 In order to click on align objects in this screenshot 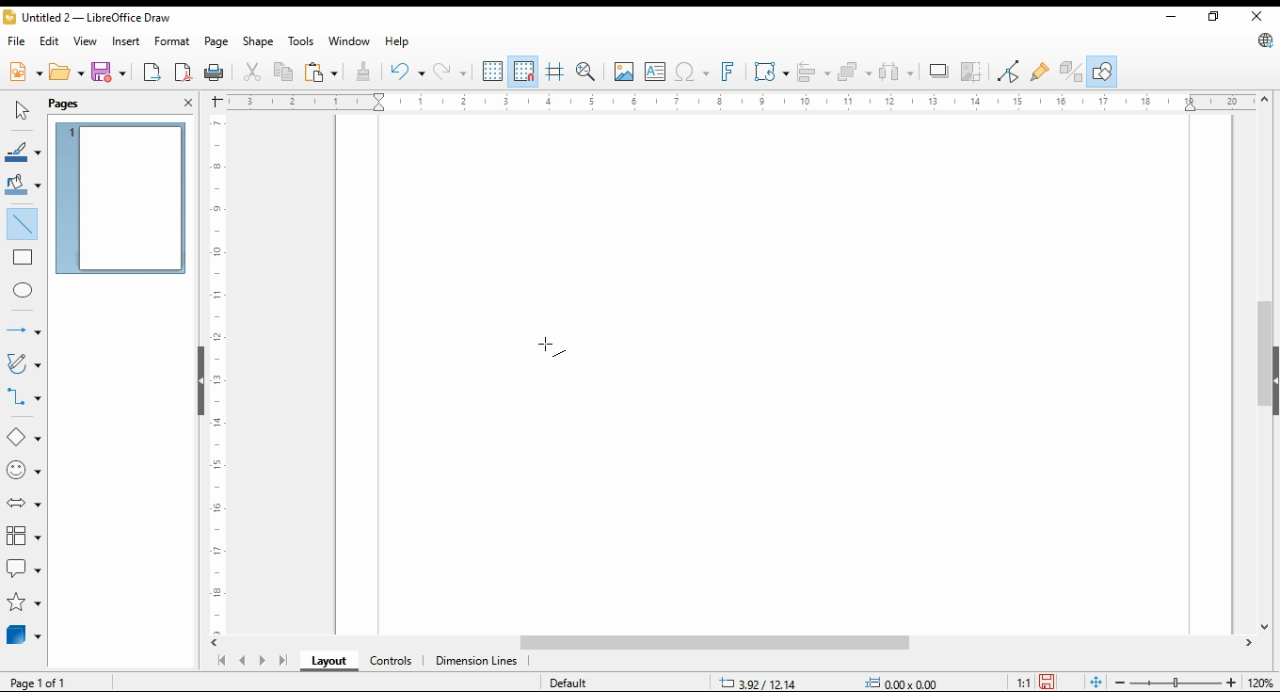, I will do `click(810, 70)`.